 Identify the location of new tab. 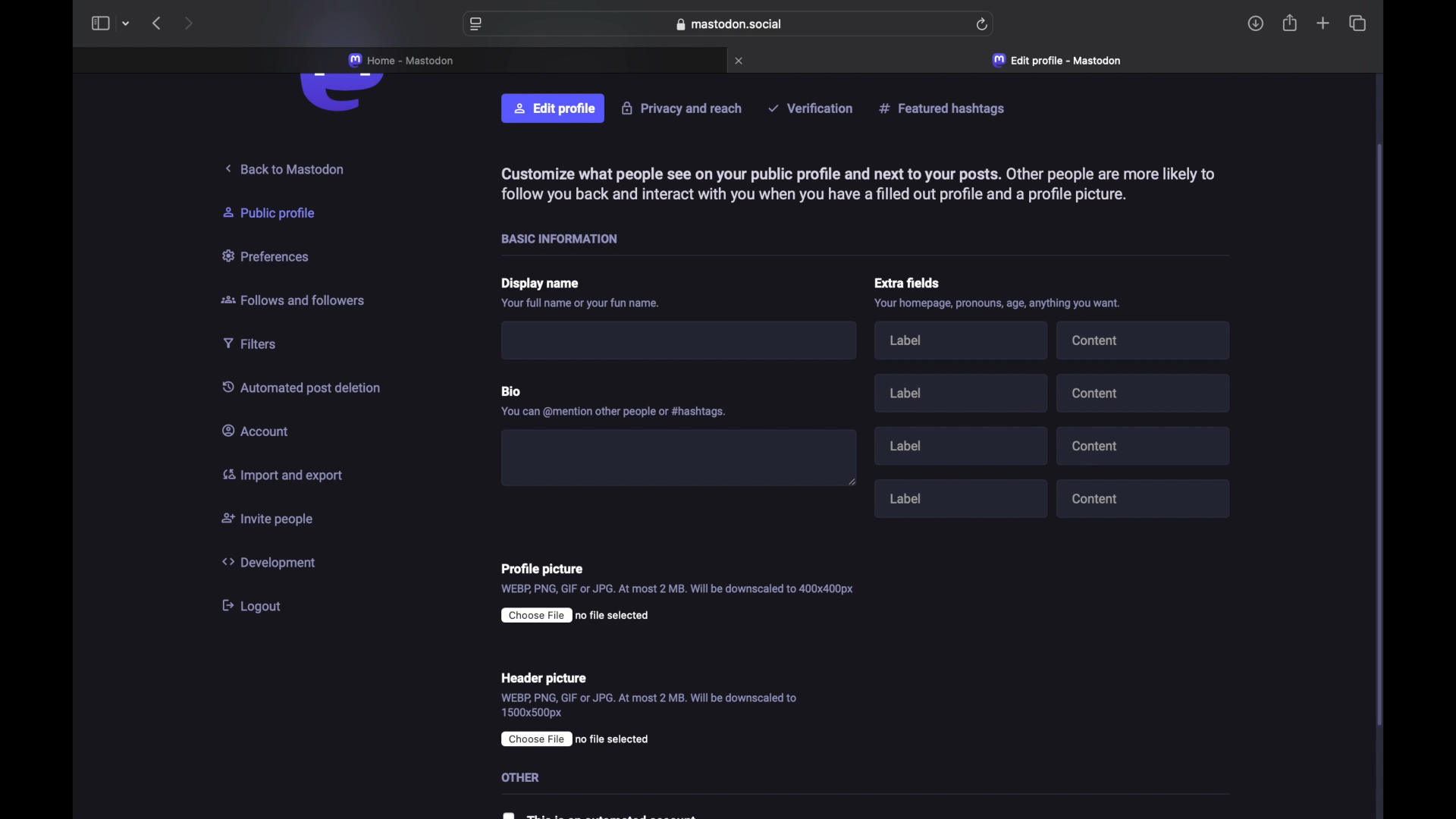
(1323, 25).